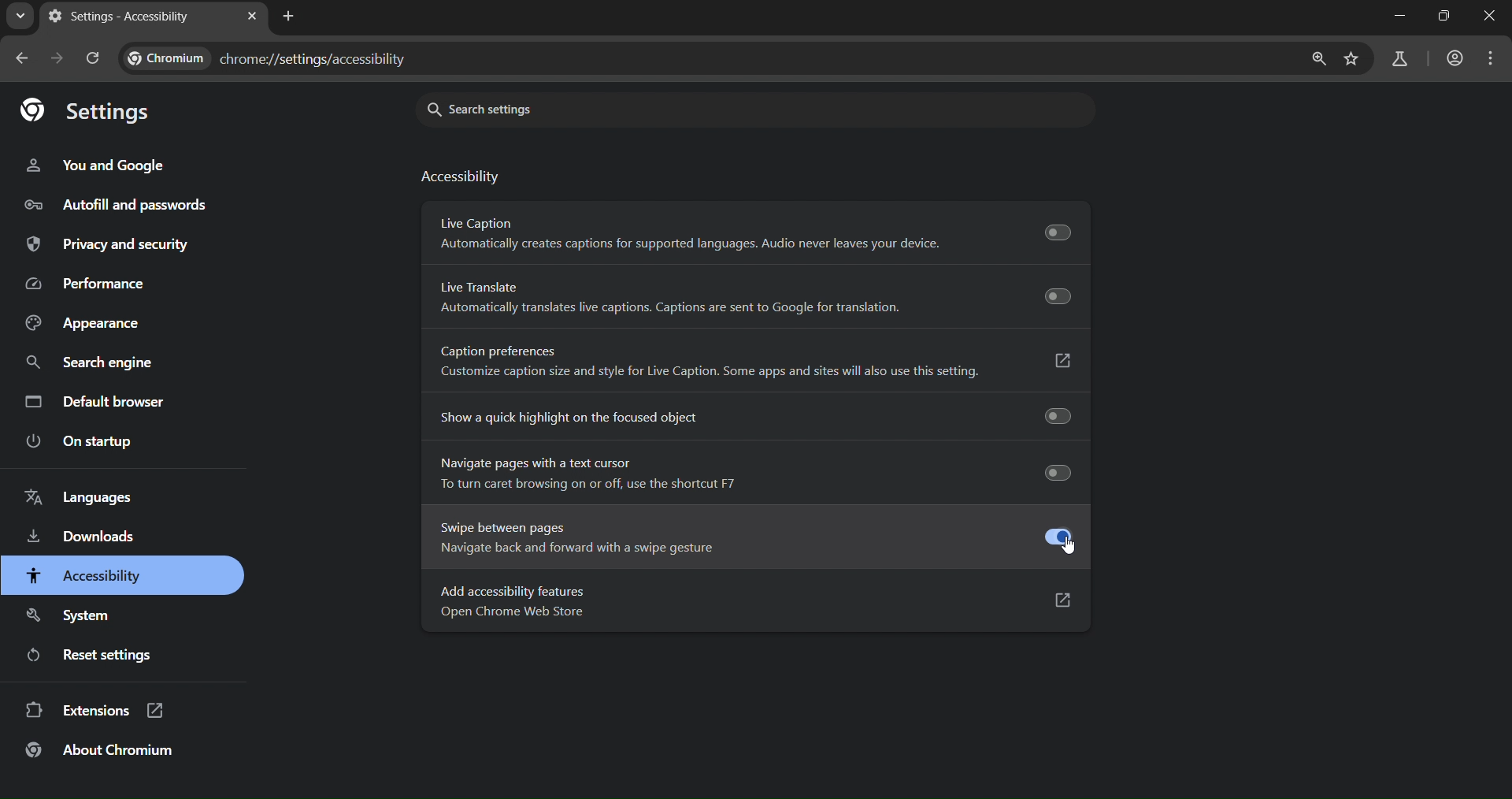 Image resolution: width=1512 pixels, height=799 pixels. I want to click on adjust window, so click(1437, 20).